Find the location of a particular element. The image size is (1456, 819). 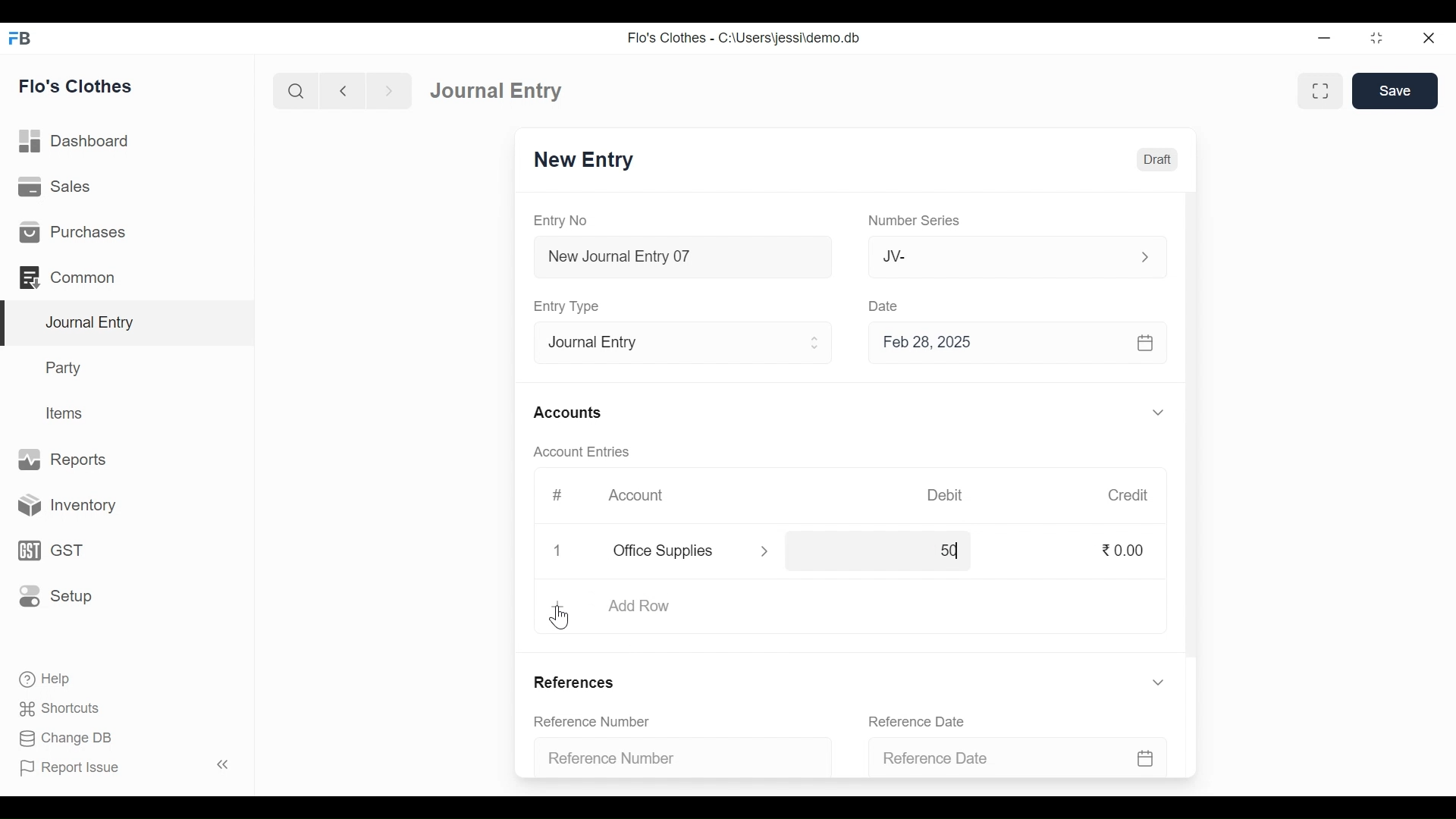

minimize is located at coordinates (1324, 39).